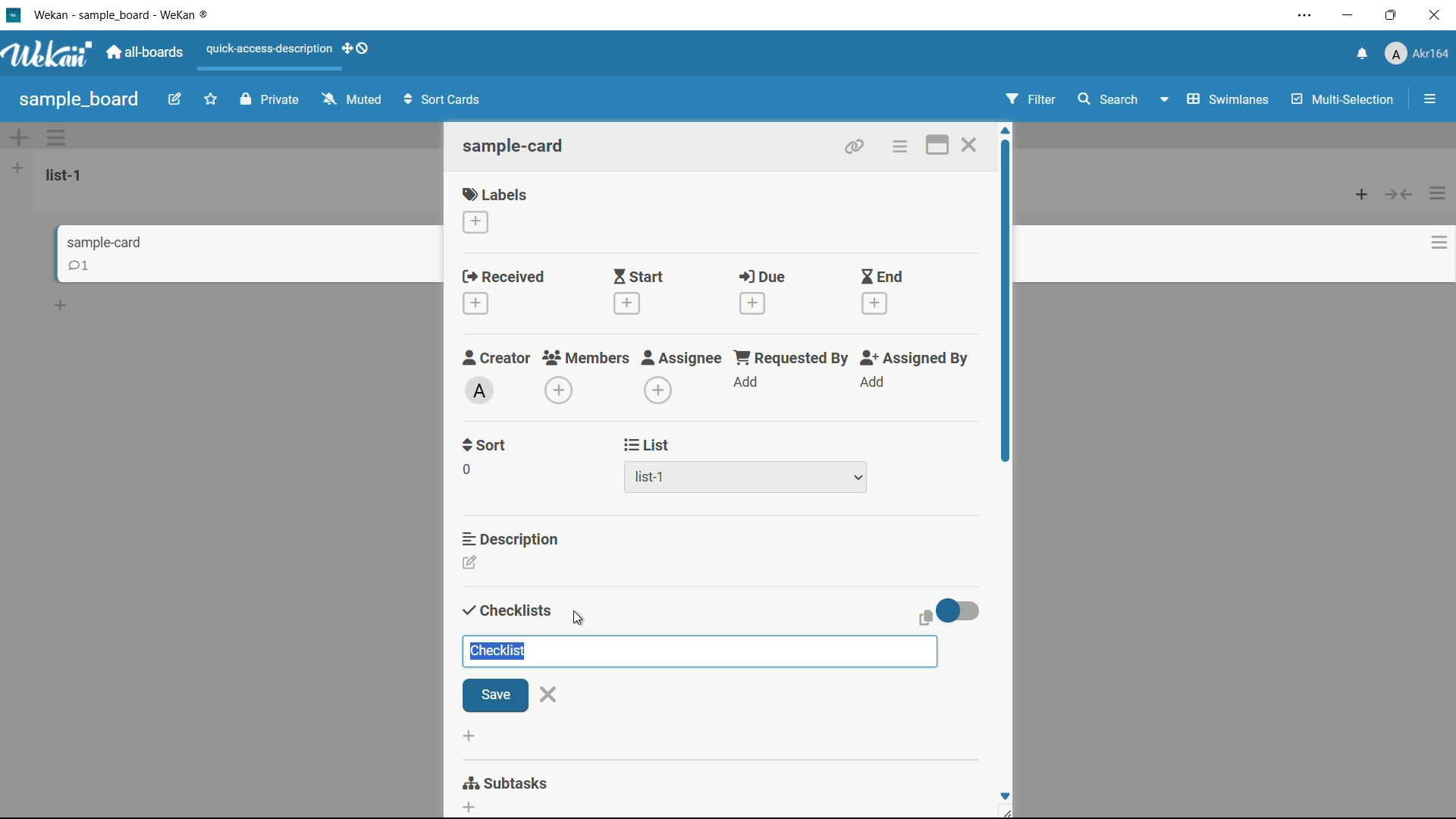 This screenshot has width=1456, height=819. What do you see at coordinates (1395, 16) in the screenshot?
I see `maximize` at bounding box center [1395, 16].